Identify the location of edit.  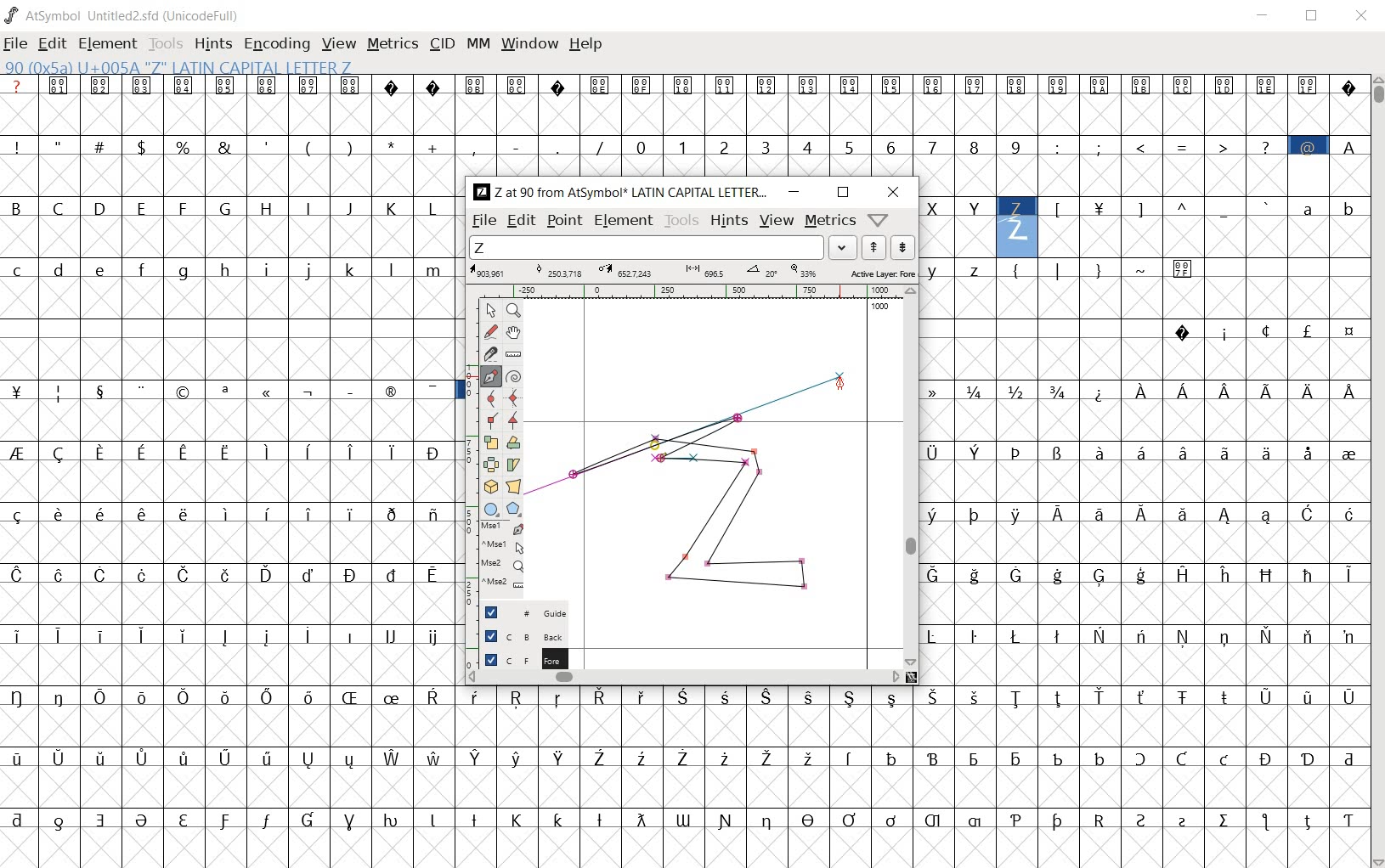
(520, 222).